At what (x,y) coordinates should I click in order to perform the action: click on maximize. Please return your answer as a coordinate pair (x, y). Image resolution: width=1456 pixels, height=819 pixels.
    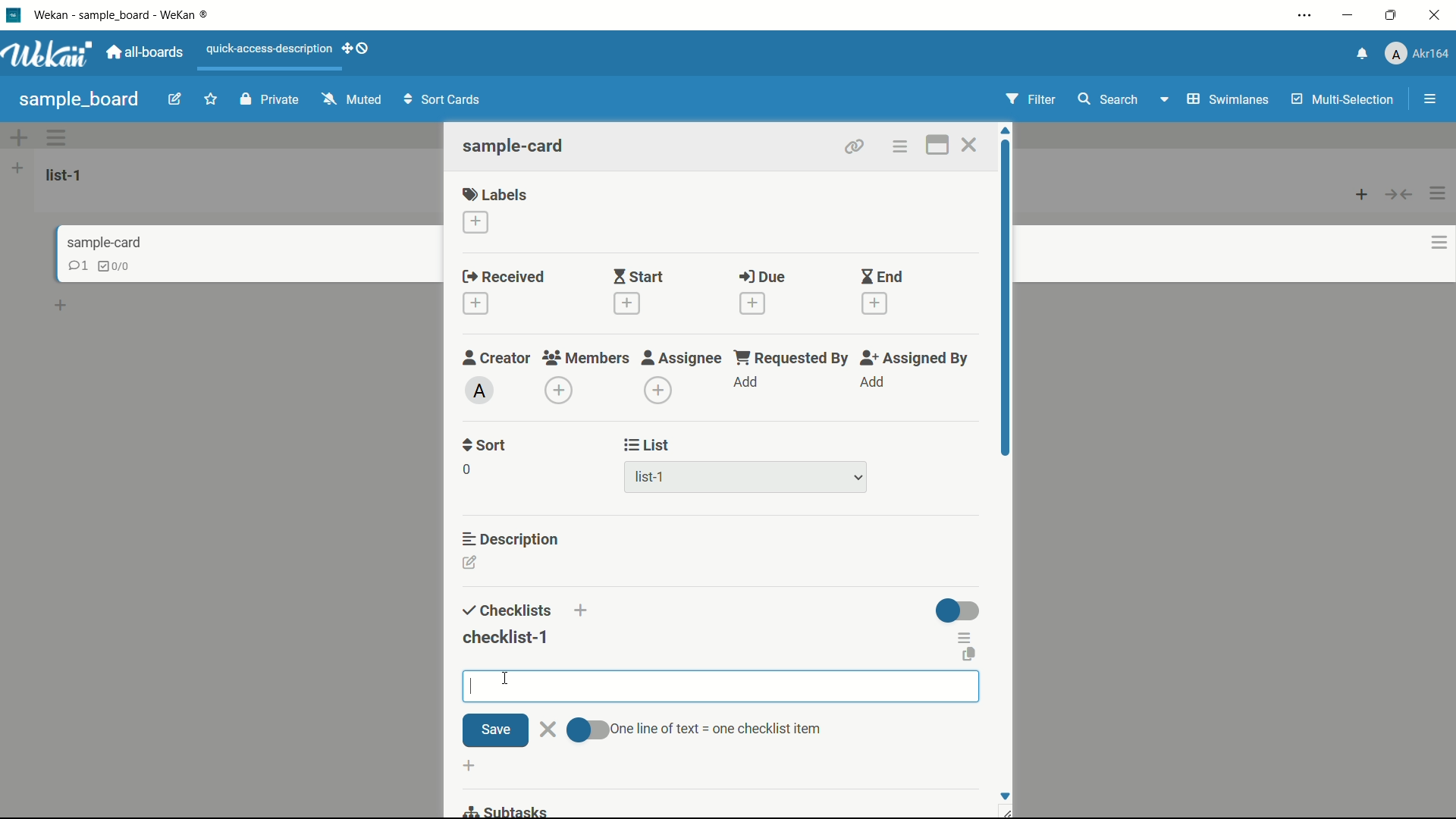
    Looking at the image, I should click on (1394, 16).